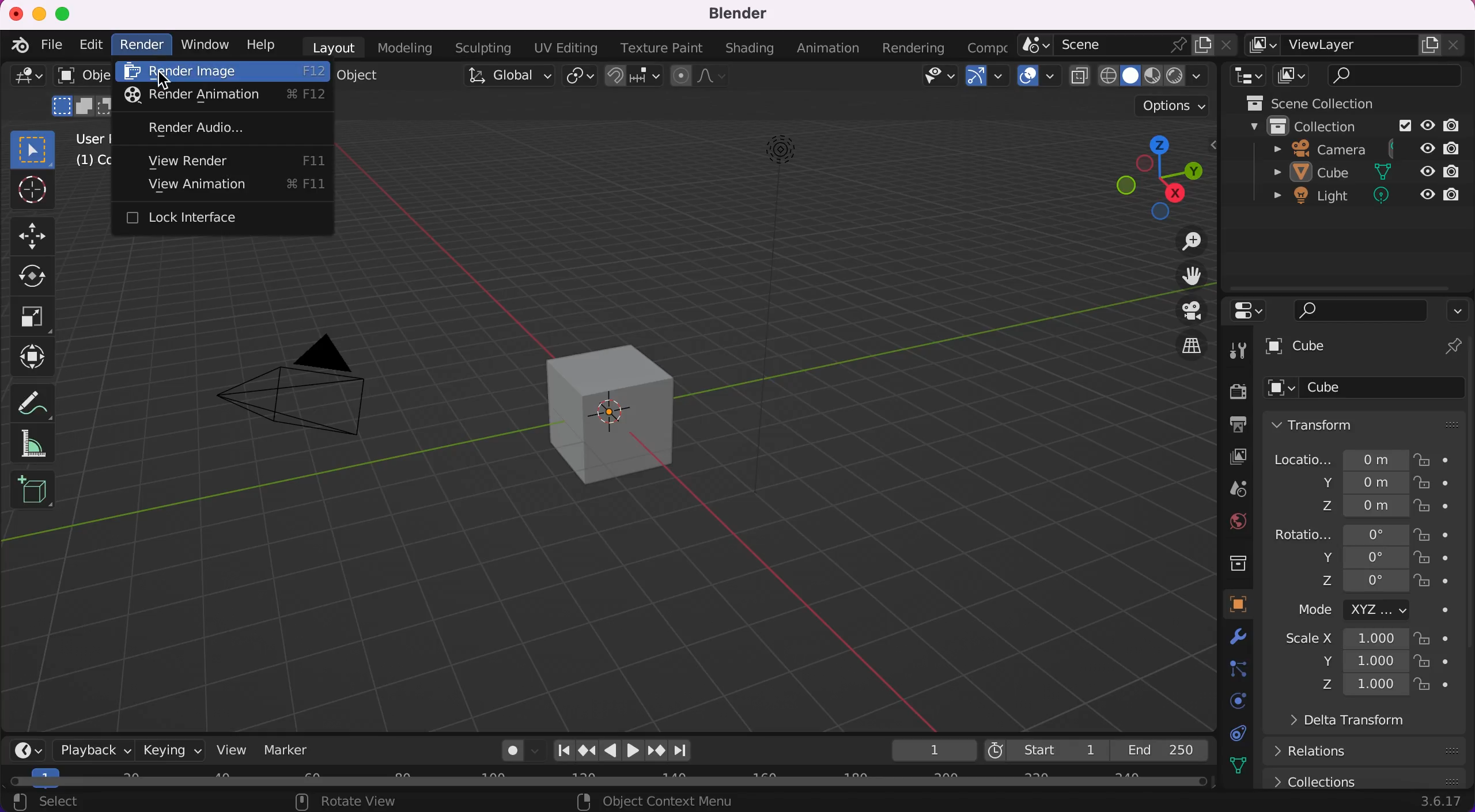 Image resolution: width=1475 pixels, height=812 pixels. I want to click on lock, so click(1434, 504).